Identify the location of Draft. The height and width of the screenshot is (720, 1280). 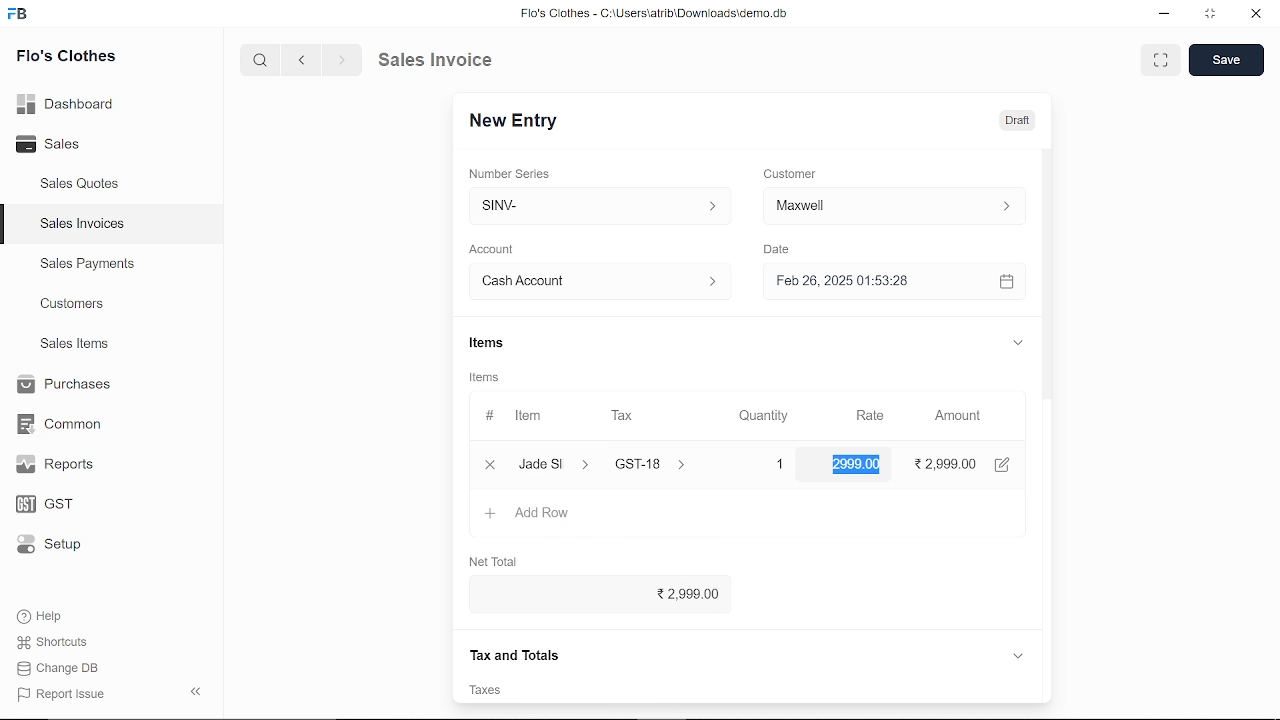
(1006, 119).